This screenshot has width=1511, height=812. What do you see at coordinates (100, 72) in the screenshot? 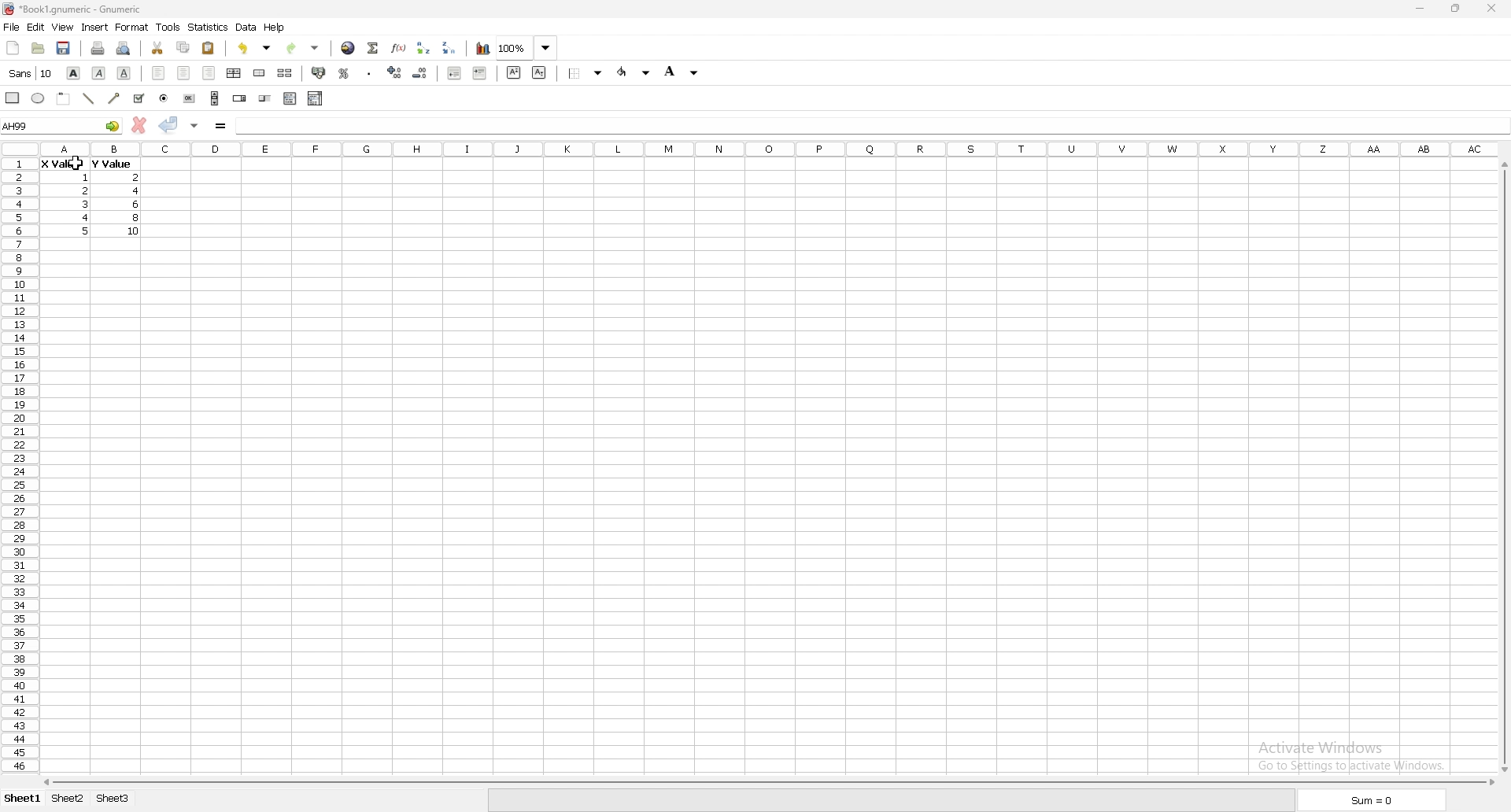
I see `italic` at bounding box center [100, 72].